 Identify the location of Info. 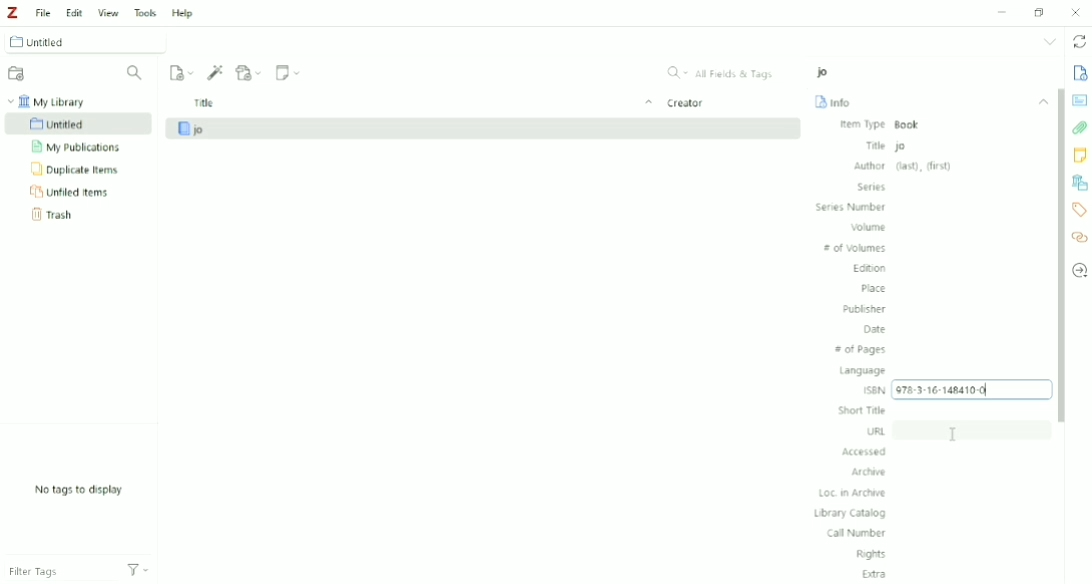
(1078, 74).